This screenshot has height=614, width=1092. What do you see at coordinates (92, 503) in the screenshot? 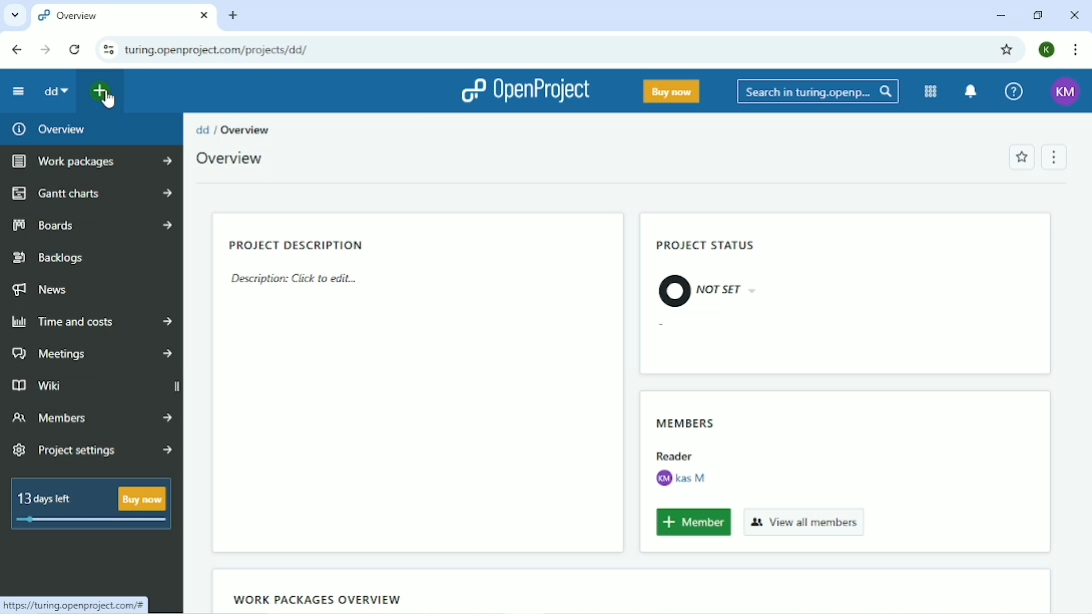
I see `13 days left Buy now` at bounding box center [92, 503].